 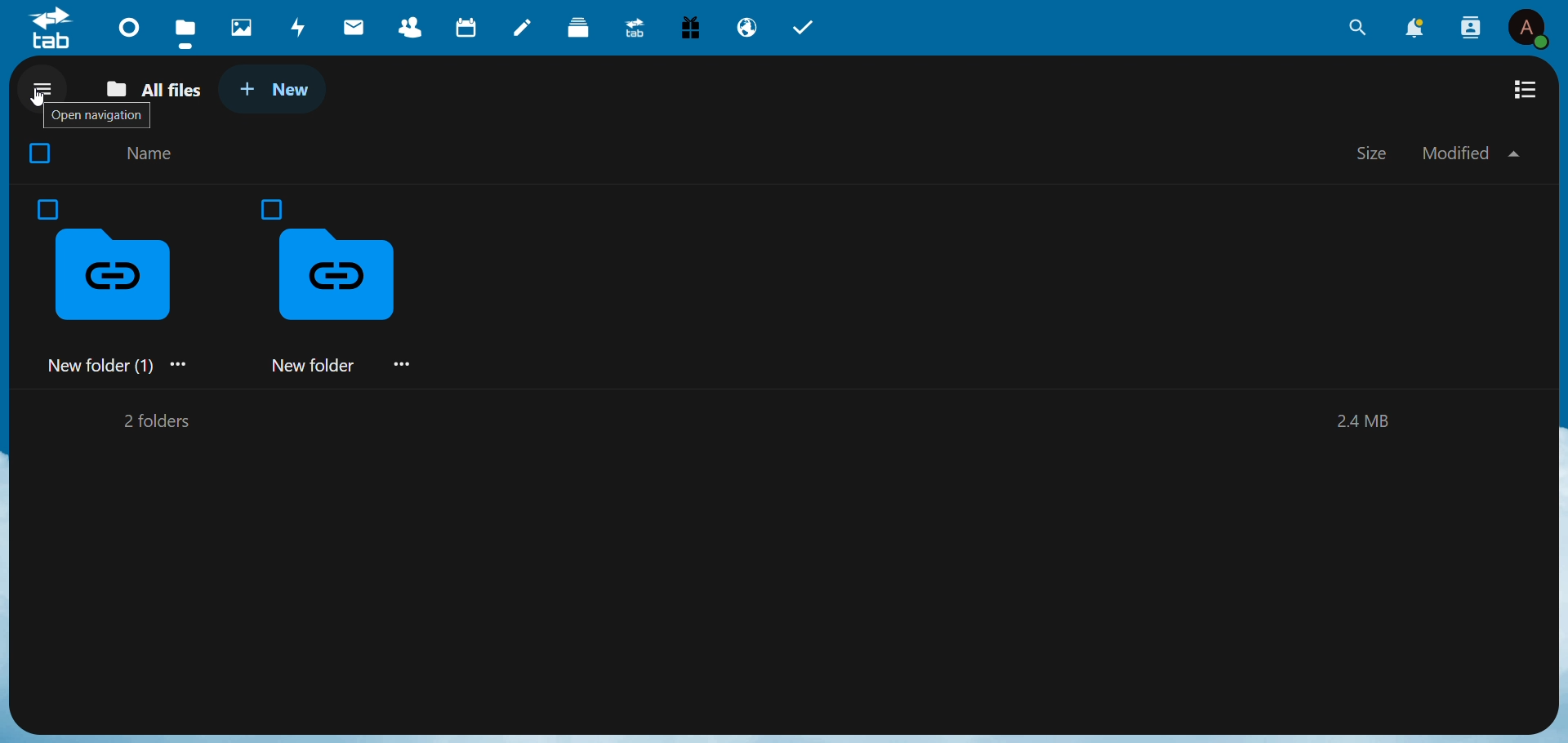 I want to click on name, so click(x=154, y=155).